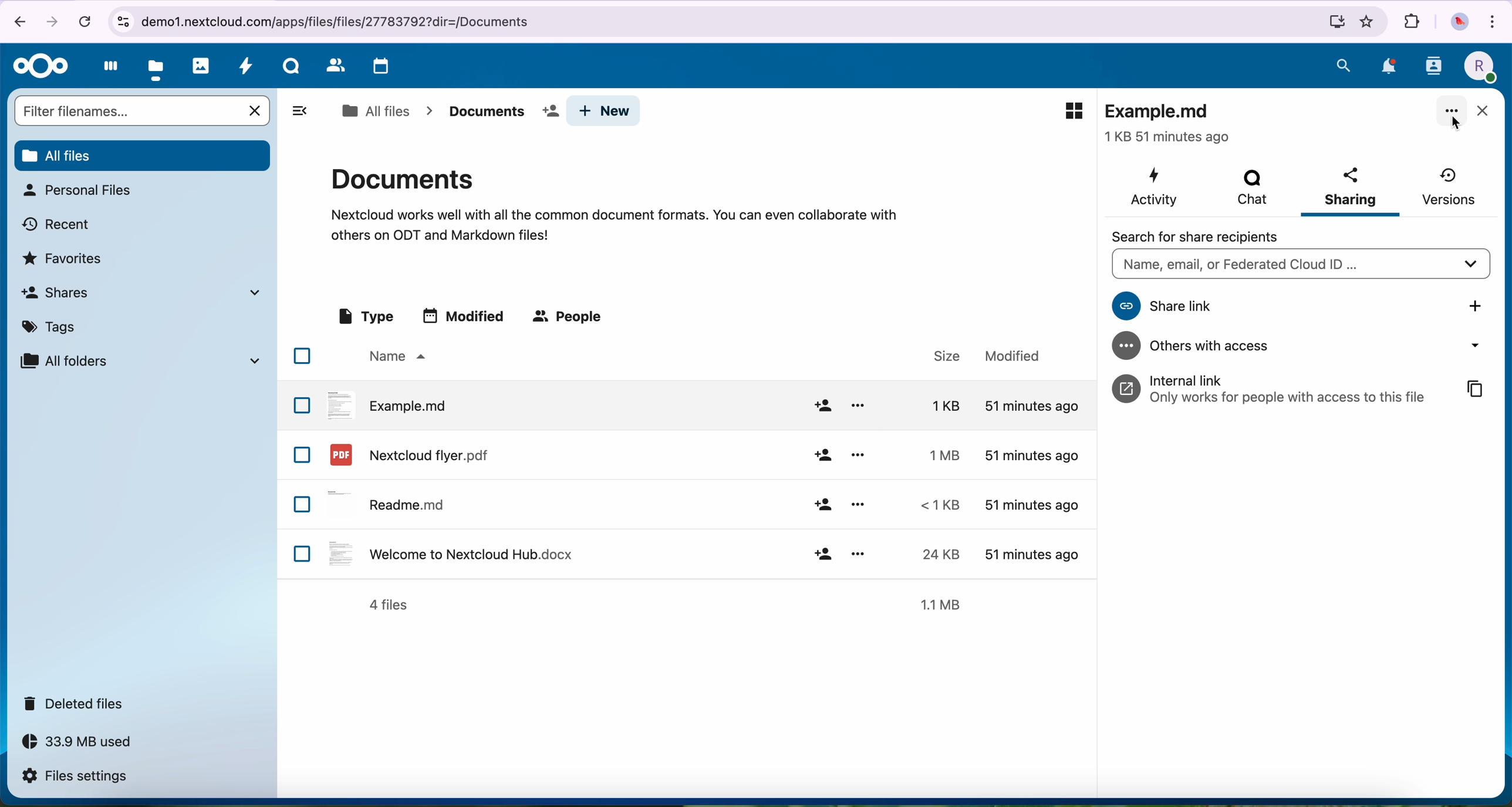 The image size is (1512, 807). I want to click on readme.md, so click(390, 502).